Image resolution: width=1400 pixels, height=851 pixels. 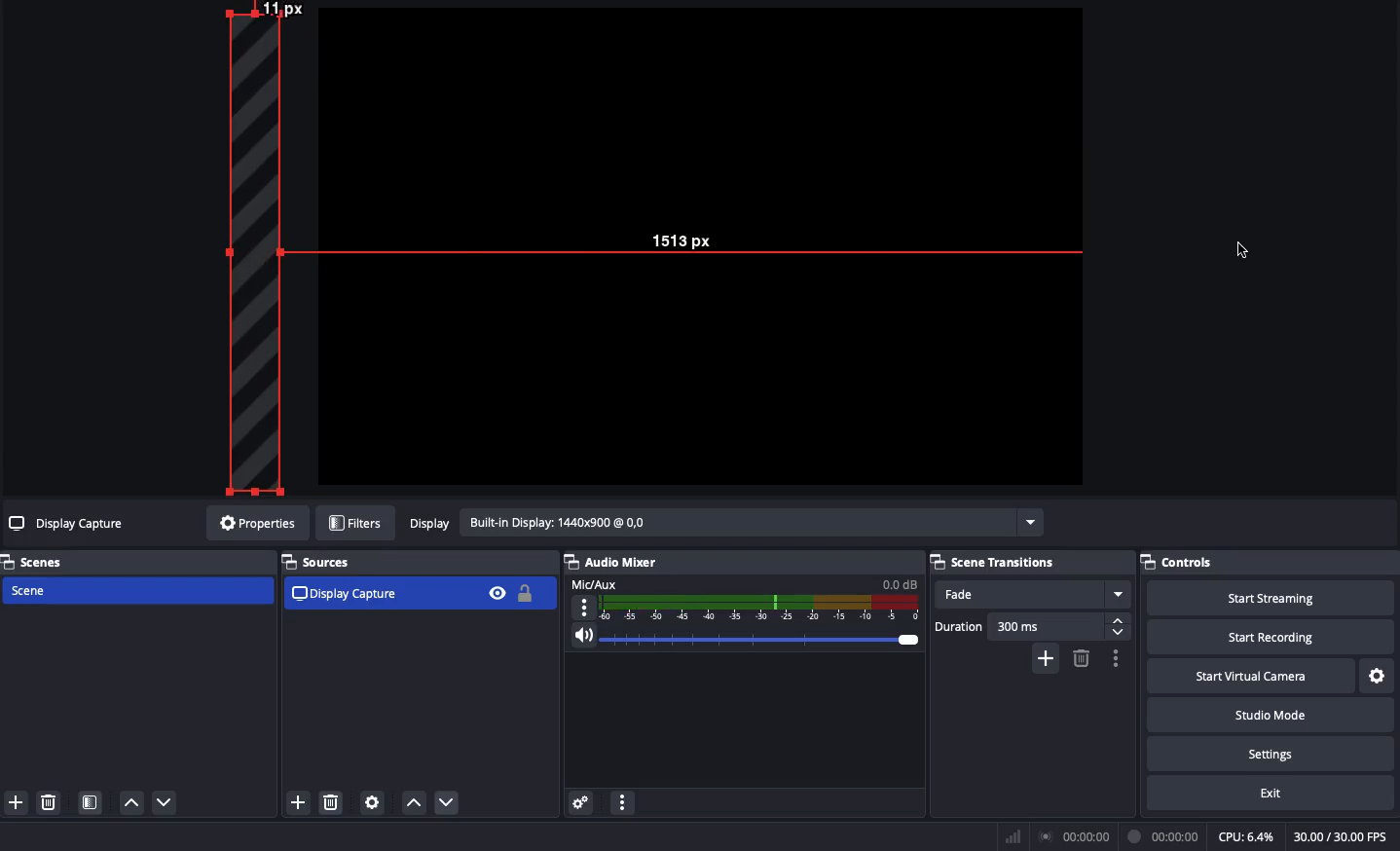 I want to click on Move down, so click(x=166, y=802).